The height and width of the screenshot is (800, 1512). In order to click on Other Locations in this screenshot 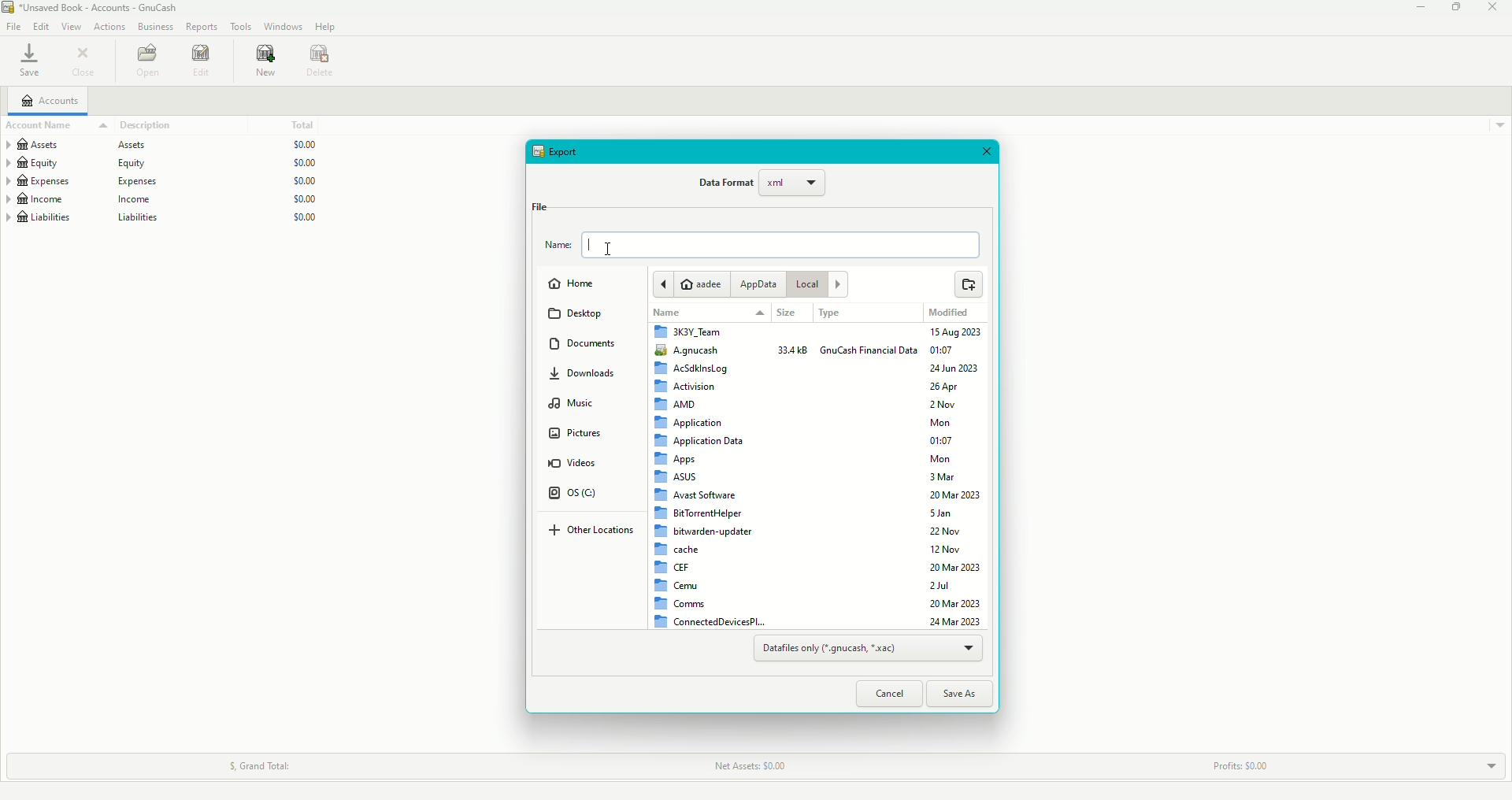, I will do `click(595, 531)`.